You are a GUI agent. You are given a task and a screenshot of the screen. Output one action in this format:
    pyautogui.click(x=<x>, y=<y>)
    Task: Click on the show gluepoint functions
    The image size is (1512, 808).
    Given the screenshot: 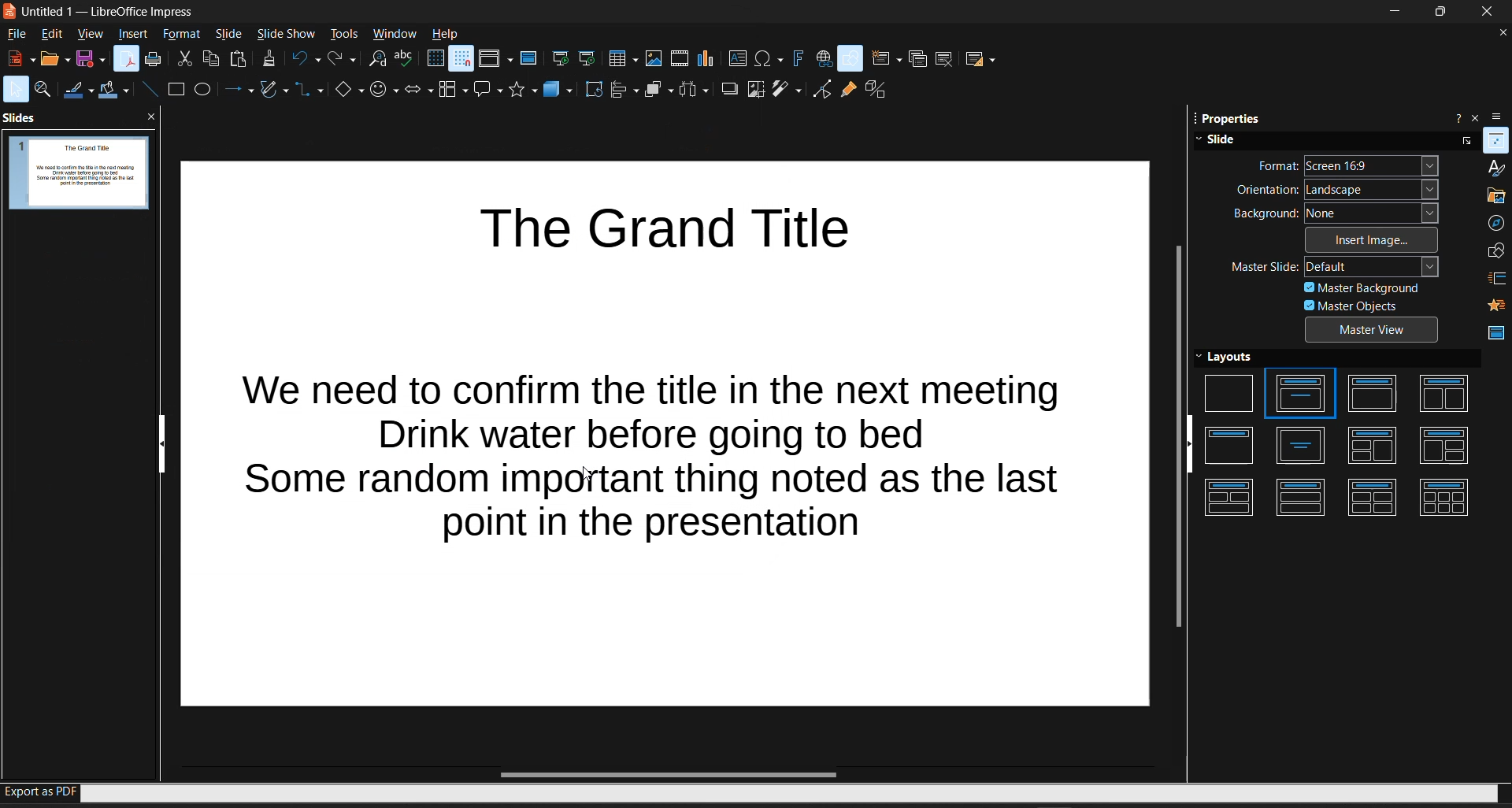 What is the action you would take?
    pyautogui.click(x=847, y=91)
    